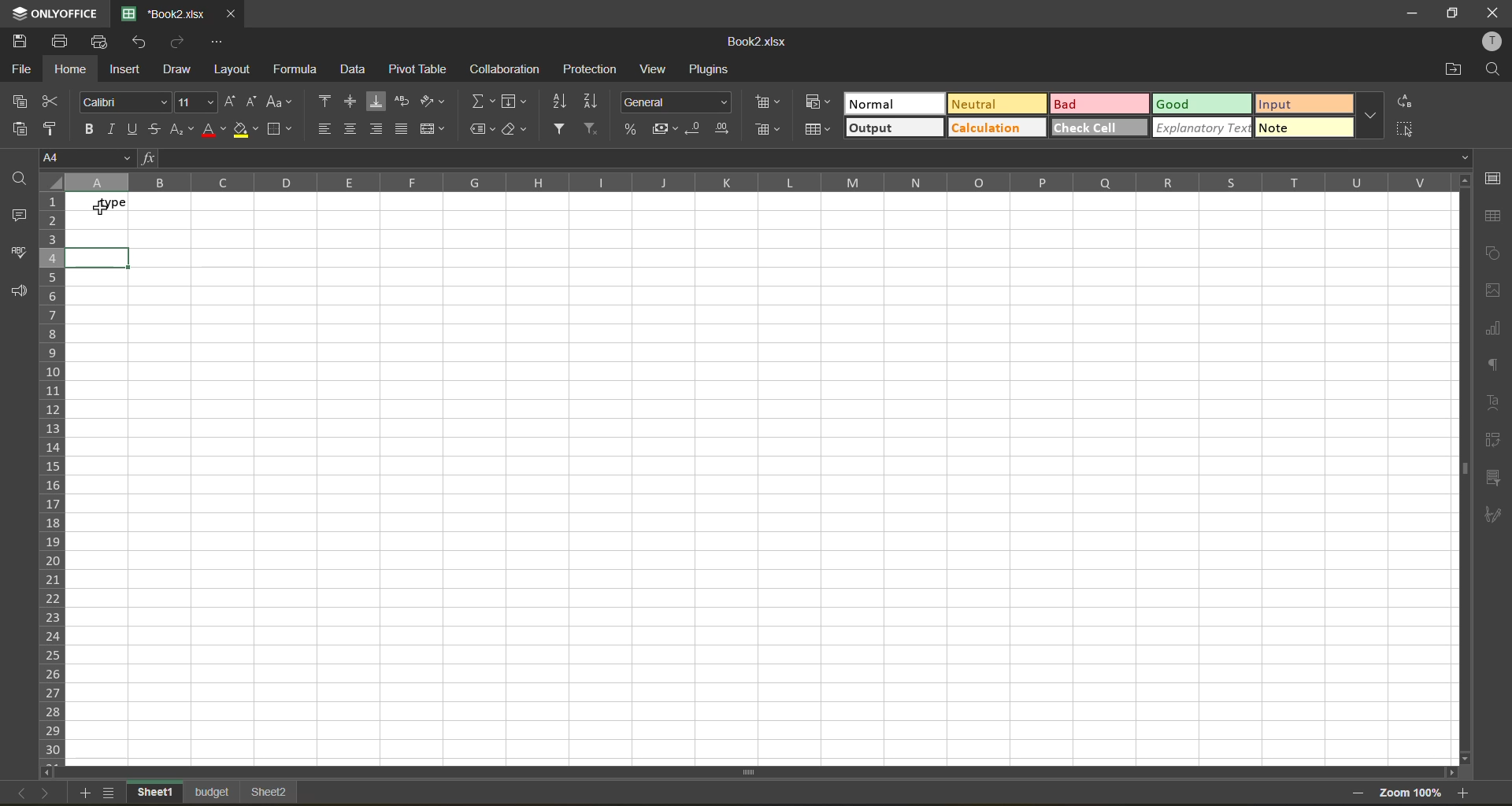  What do you see at coordinates (1494, 331) in the screenshot?
I see `charts` at bounding box center [1494, 331].